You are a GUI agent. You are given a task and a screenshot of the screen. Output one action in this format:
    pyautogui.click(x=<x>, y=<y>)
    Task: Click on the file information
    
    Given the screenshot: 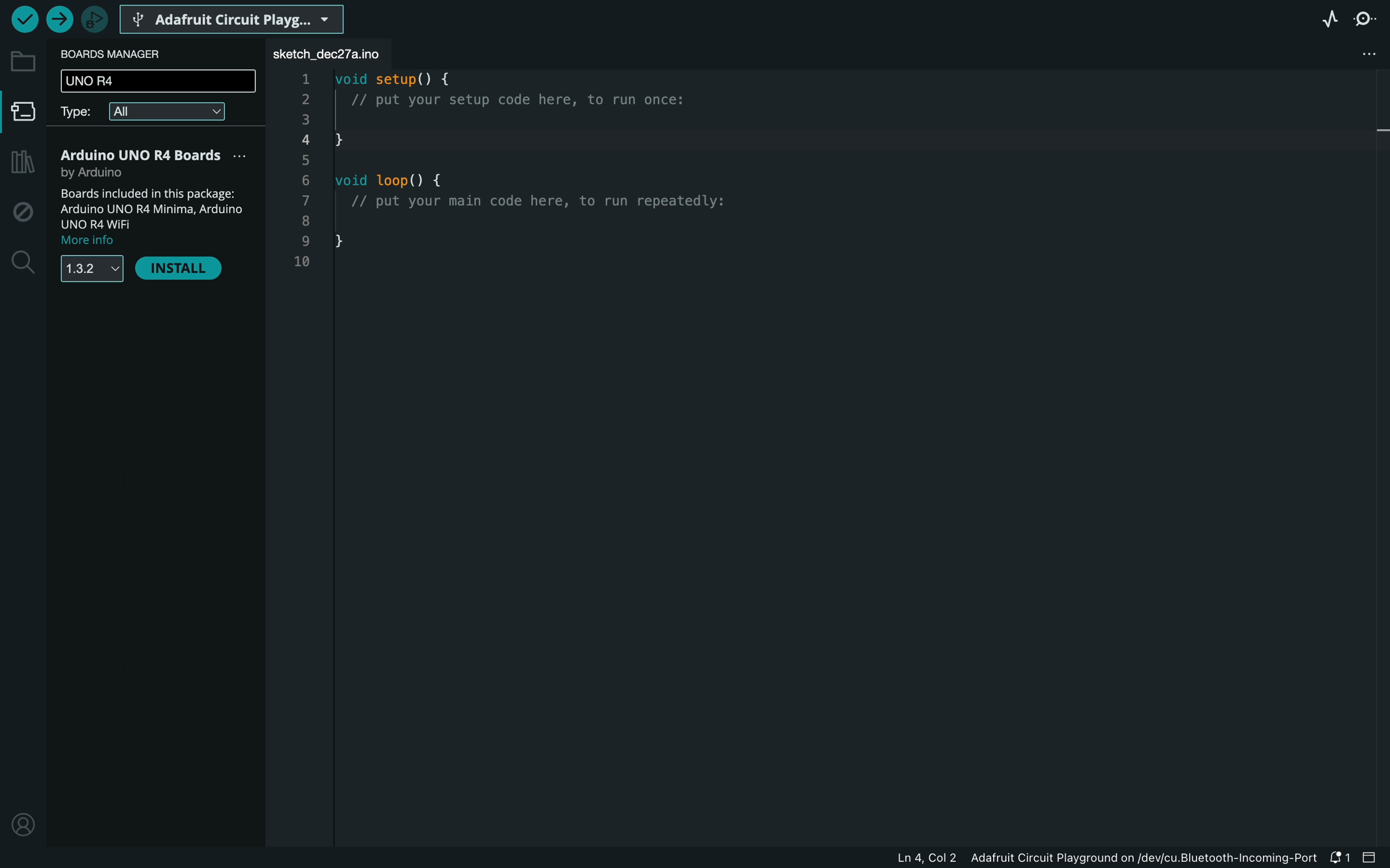 What is the action you would take?
    pyautogui.click(x=1059, y=861)
    